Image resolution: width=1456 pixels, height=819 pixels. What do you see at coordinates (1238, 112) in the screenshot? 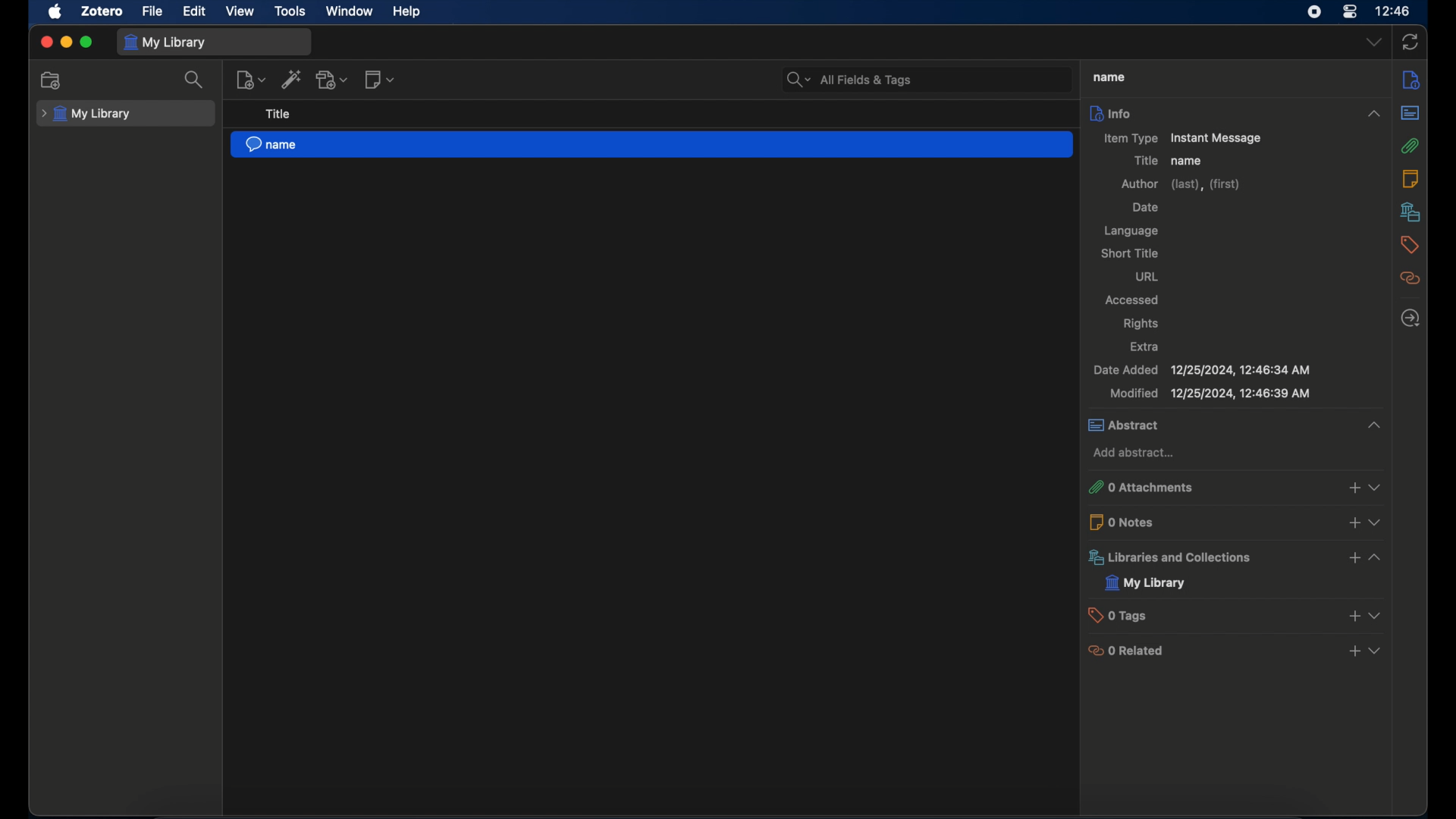
I see `info` at bounding box center [1238, 112].